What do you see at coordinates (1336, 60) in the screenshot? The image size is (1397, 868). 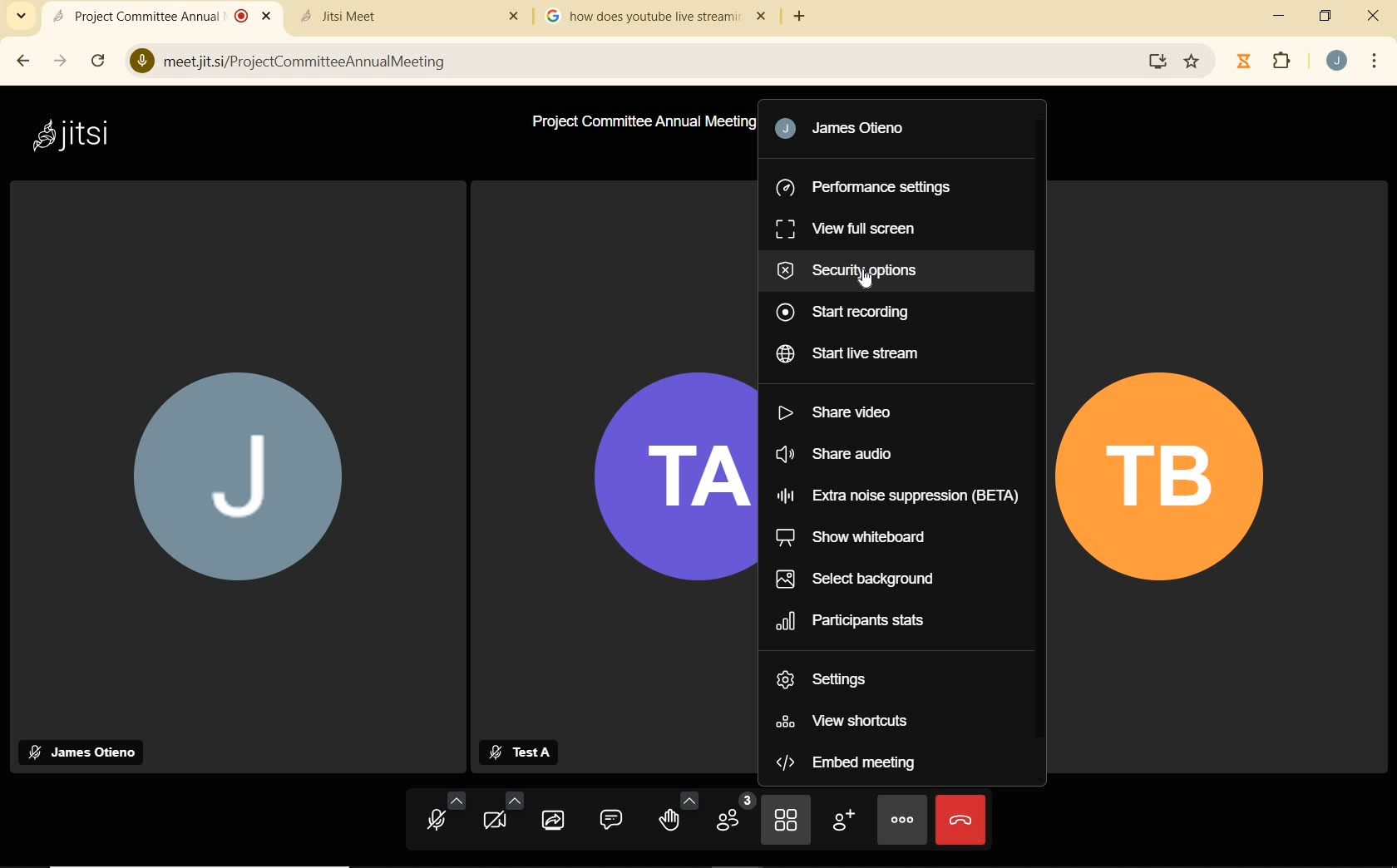 I see `ACCOUNT` at bounding box center [1336, 60].